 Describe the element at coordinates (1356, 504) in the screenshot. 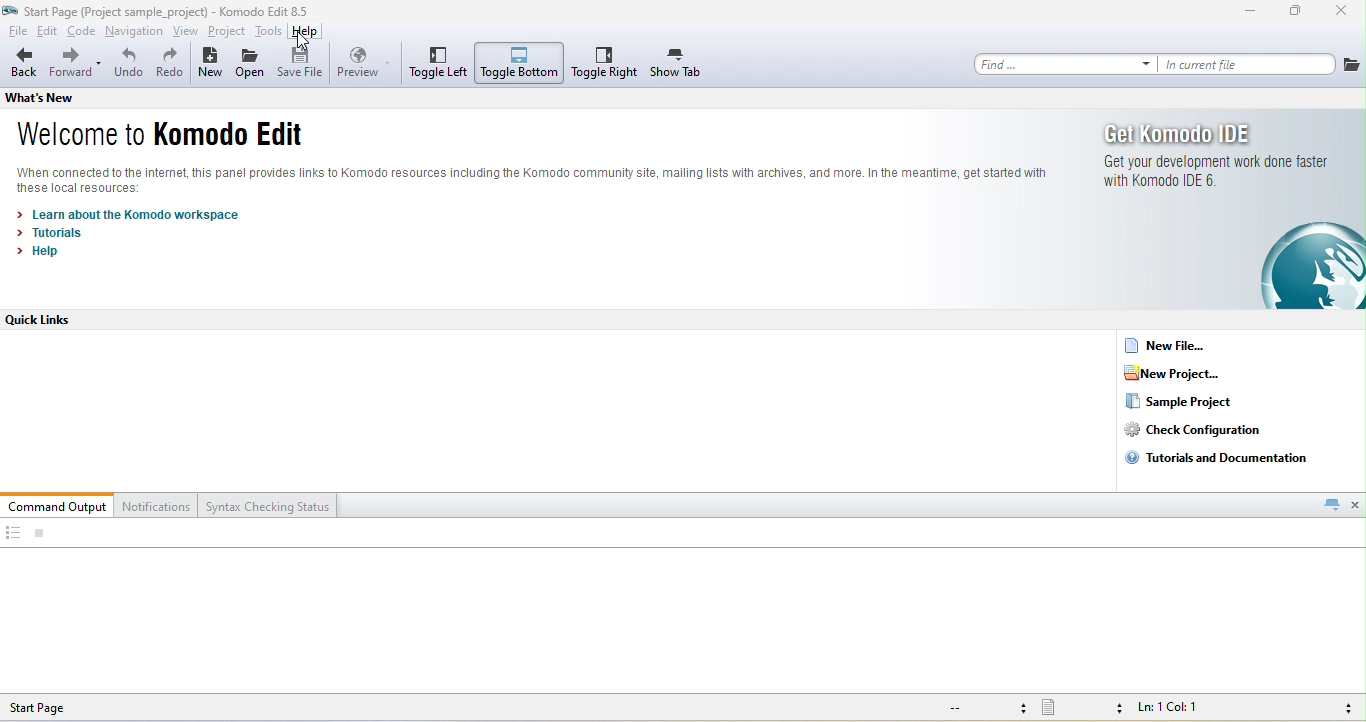

I see `close` at that location.